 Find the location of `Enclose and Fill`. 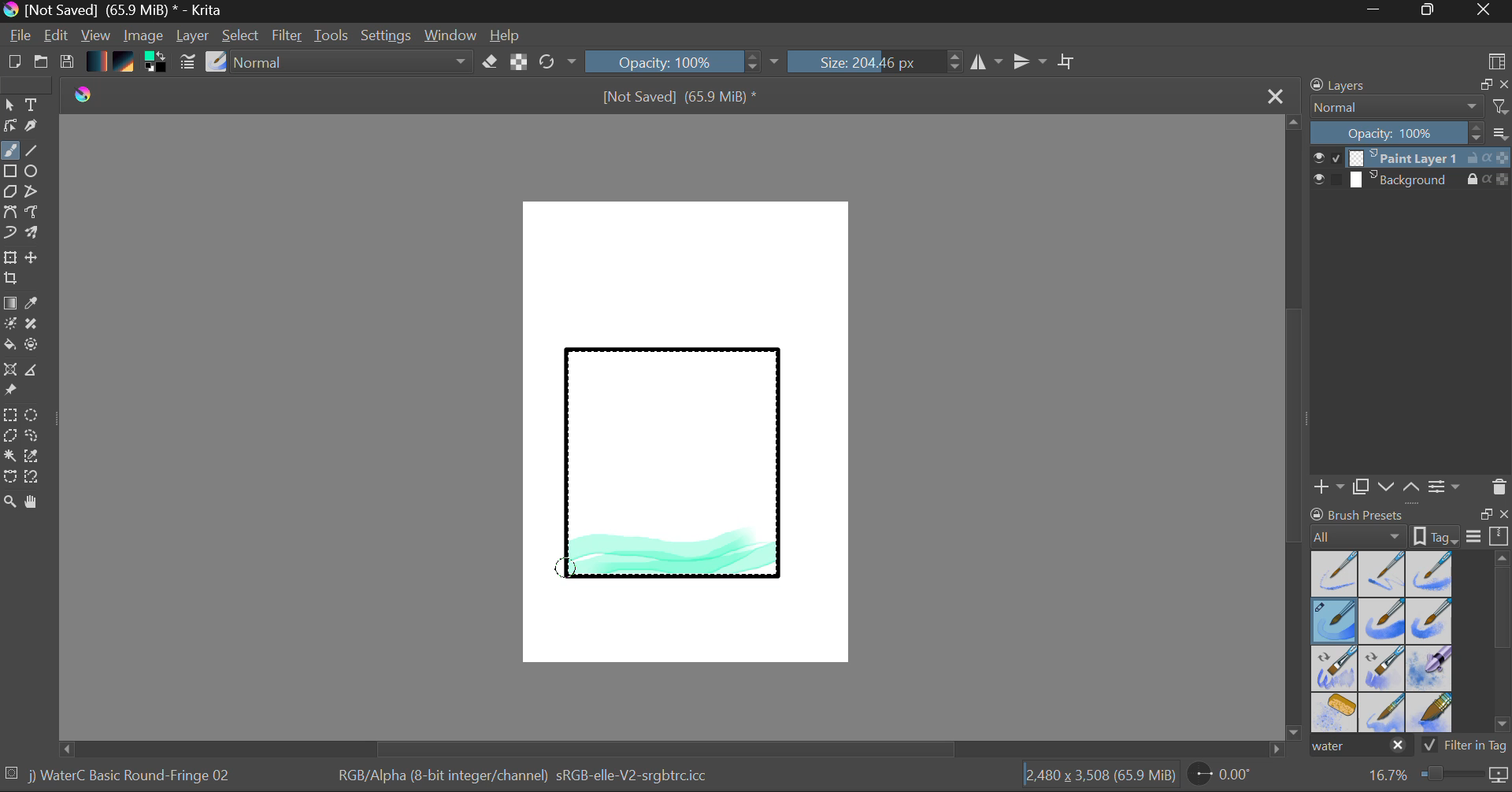

Enclose and Fill is located at coordinates (35, 346).